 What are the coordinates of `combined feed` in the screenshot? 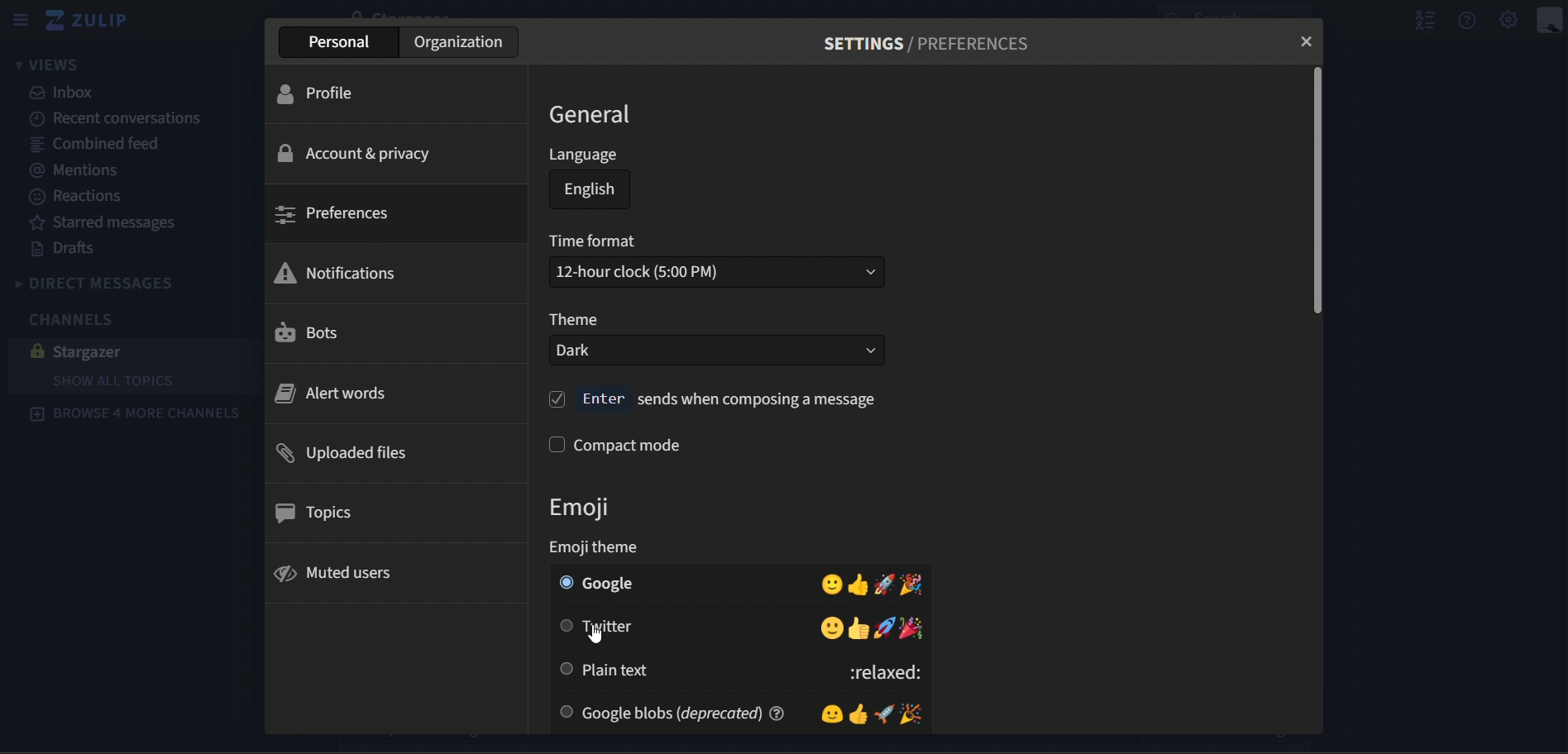 It's located at (98, 146).